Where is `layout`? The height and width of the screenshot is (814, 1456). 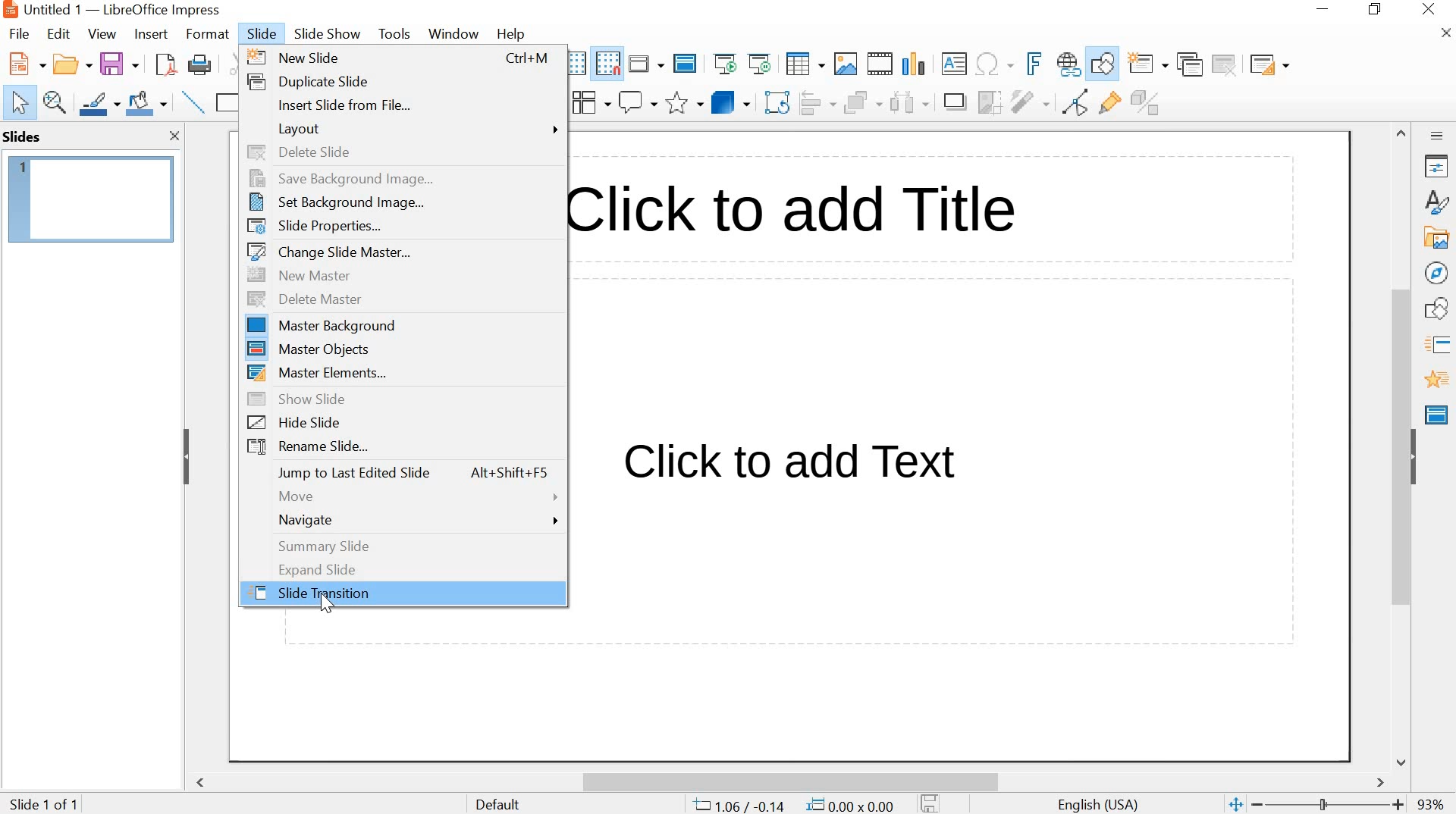 layout is located at coordinates (400, 129).